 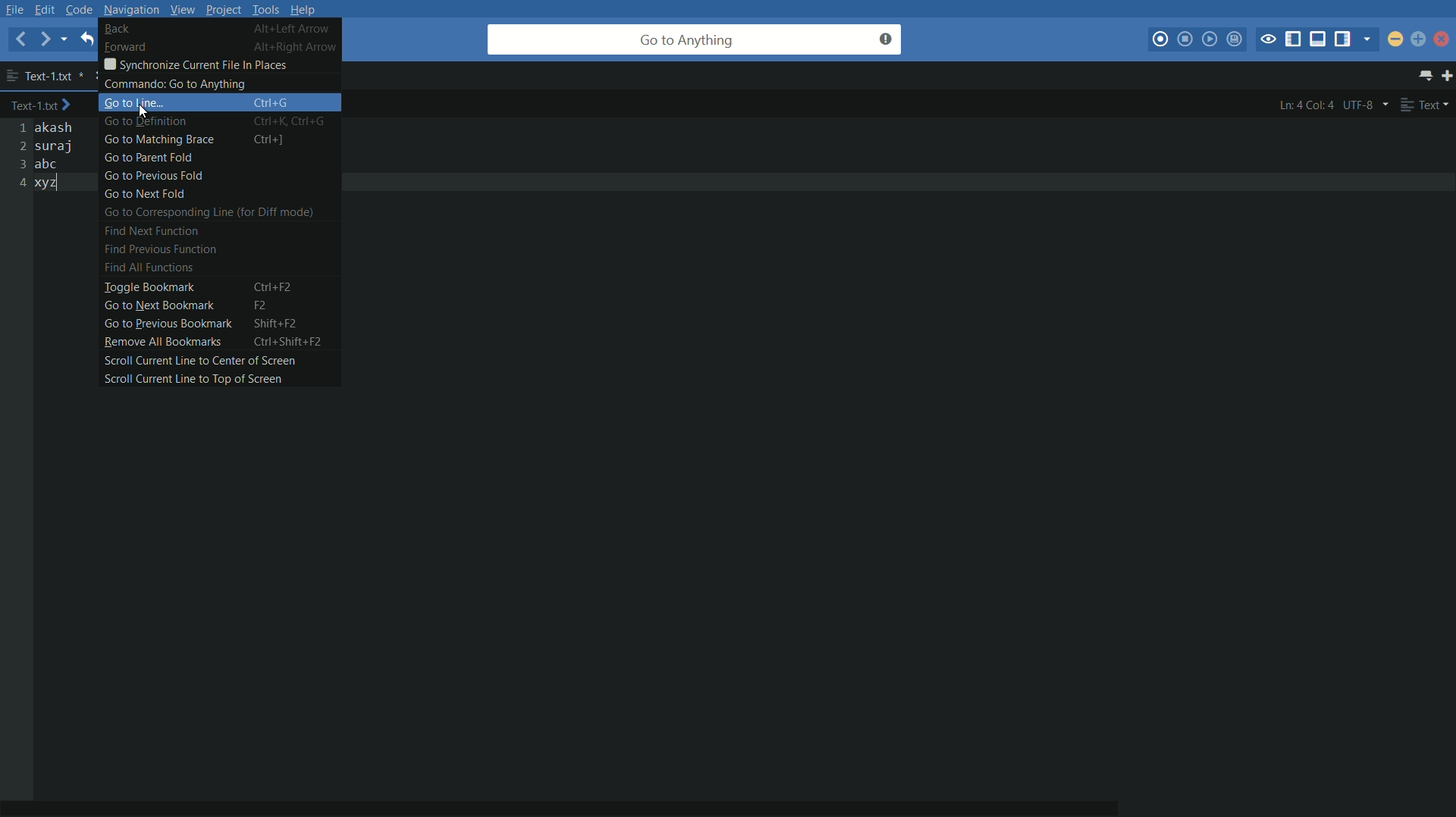 I want to click on recent locations, so click(x=68, y=41).